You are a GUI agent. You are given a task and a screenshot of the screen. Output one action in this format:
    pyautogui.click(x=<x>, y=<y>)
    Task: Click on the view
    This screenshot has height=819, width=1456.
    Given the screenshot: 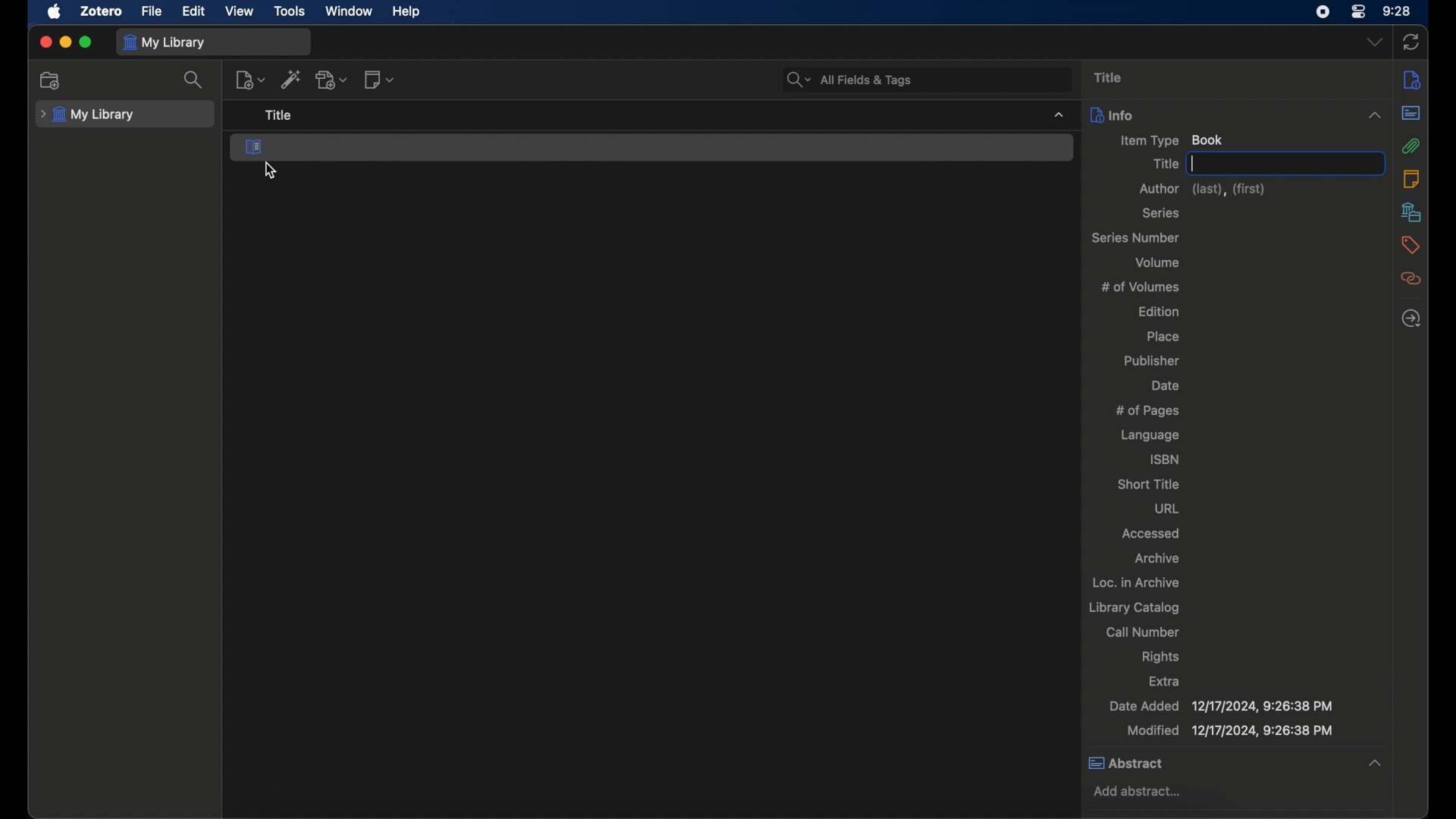 What is the action you would take?
    pyautogui.click(x=240, y=11)
    